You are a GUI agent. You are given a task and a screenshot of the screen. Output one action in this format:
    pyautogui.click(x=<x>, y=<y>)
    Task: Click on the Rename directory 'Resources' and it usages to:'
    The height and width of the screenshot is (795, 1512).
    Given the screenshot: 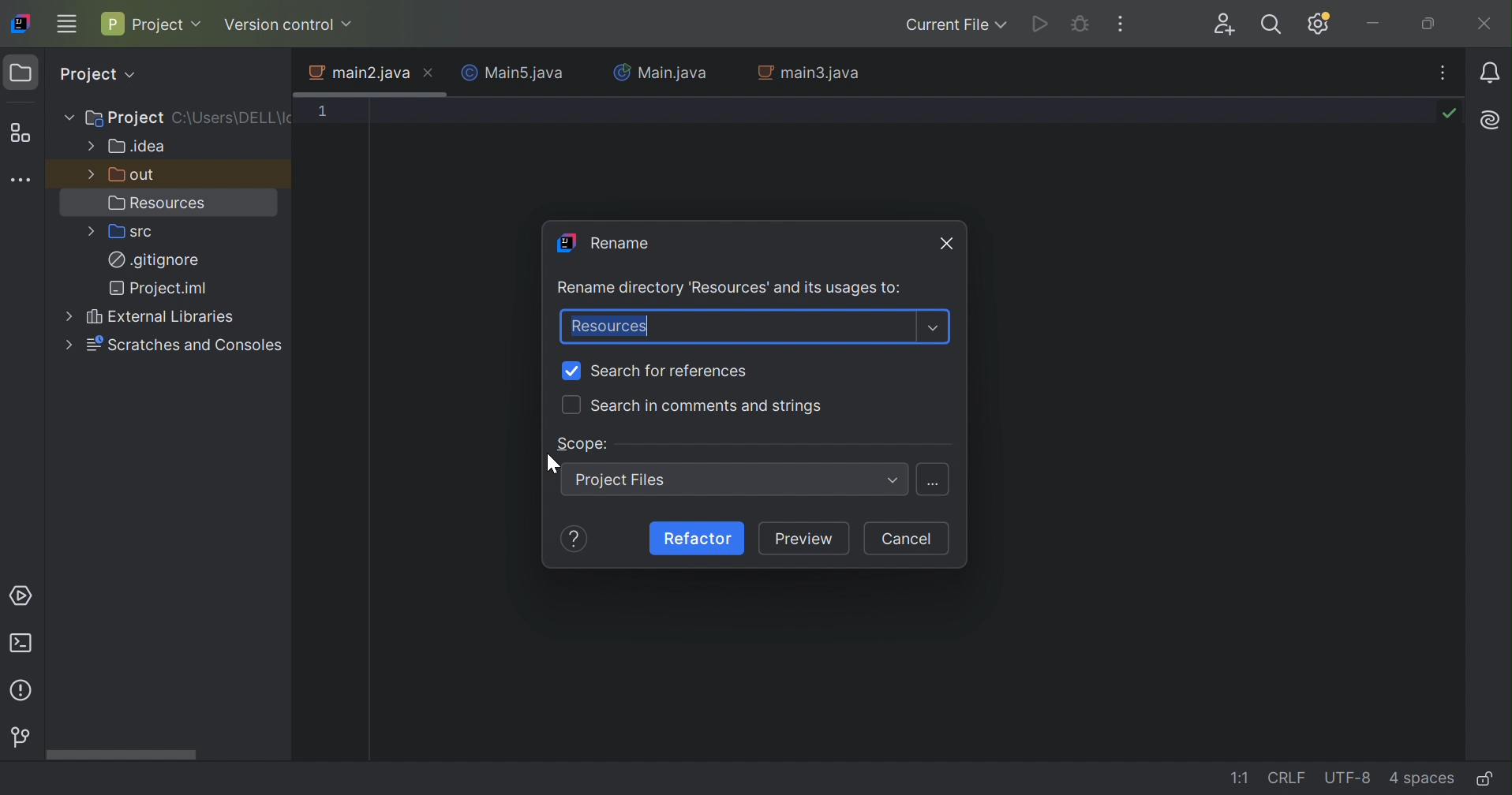 What is the action you would take?
    pyautogui.click(x=730, y=289)
    